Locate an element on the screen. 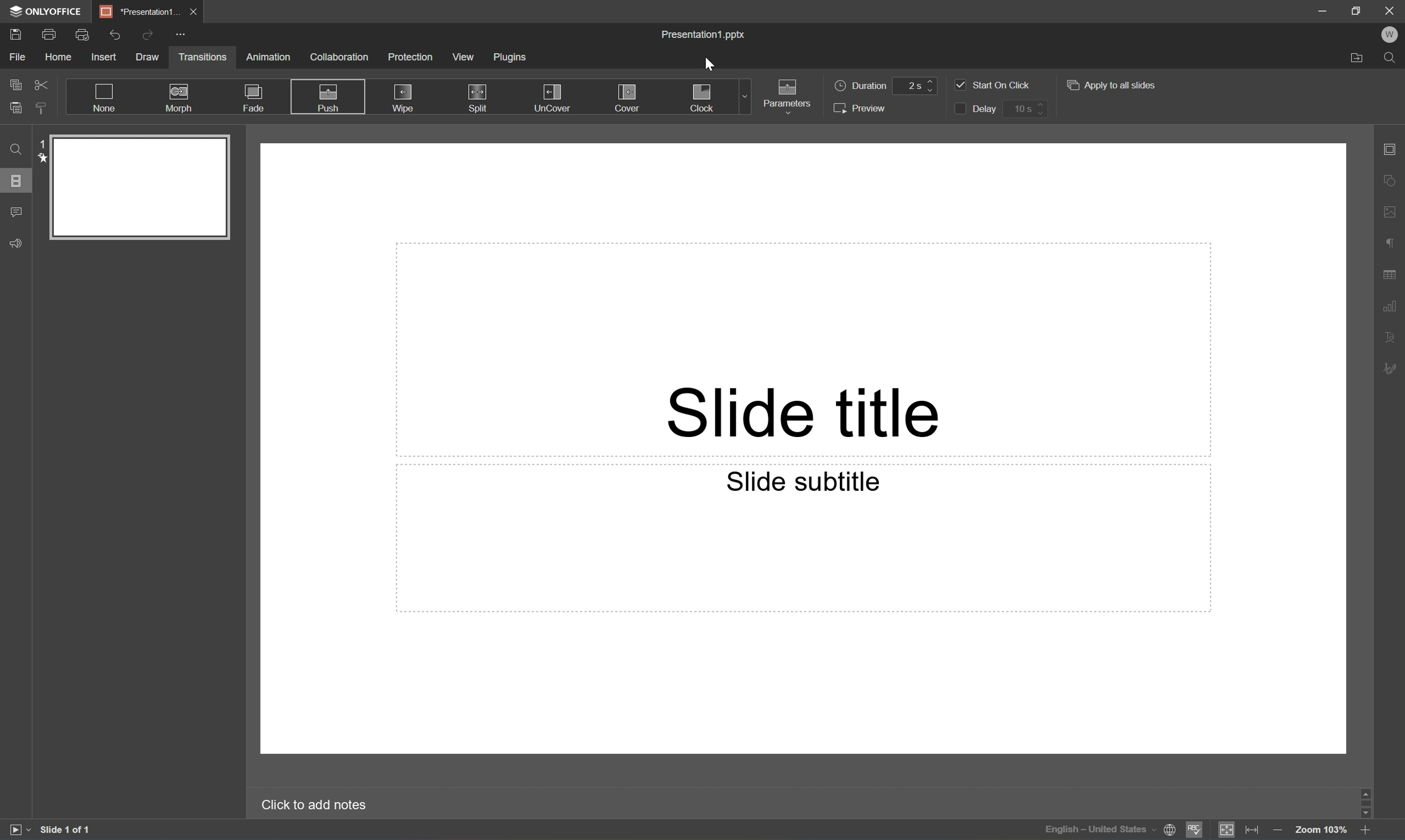 This screenshot has height=840, width=1405. Push Selected is located at coordinates (328, 98).